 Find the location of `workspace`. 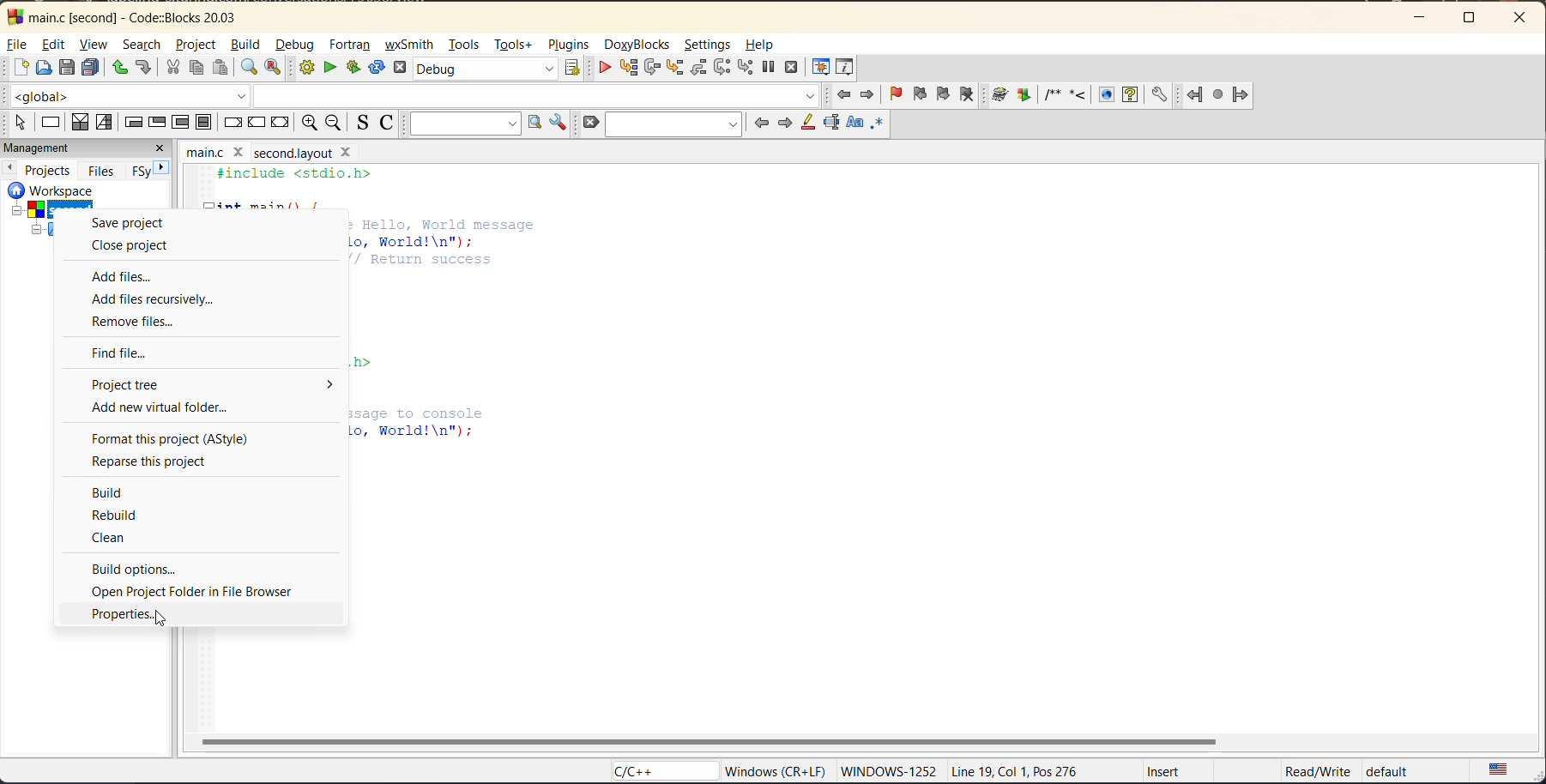

workspace is located at coordinates (37, 213).